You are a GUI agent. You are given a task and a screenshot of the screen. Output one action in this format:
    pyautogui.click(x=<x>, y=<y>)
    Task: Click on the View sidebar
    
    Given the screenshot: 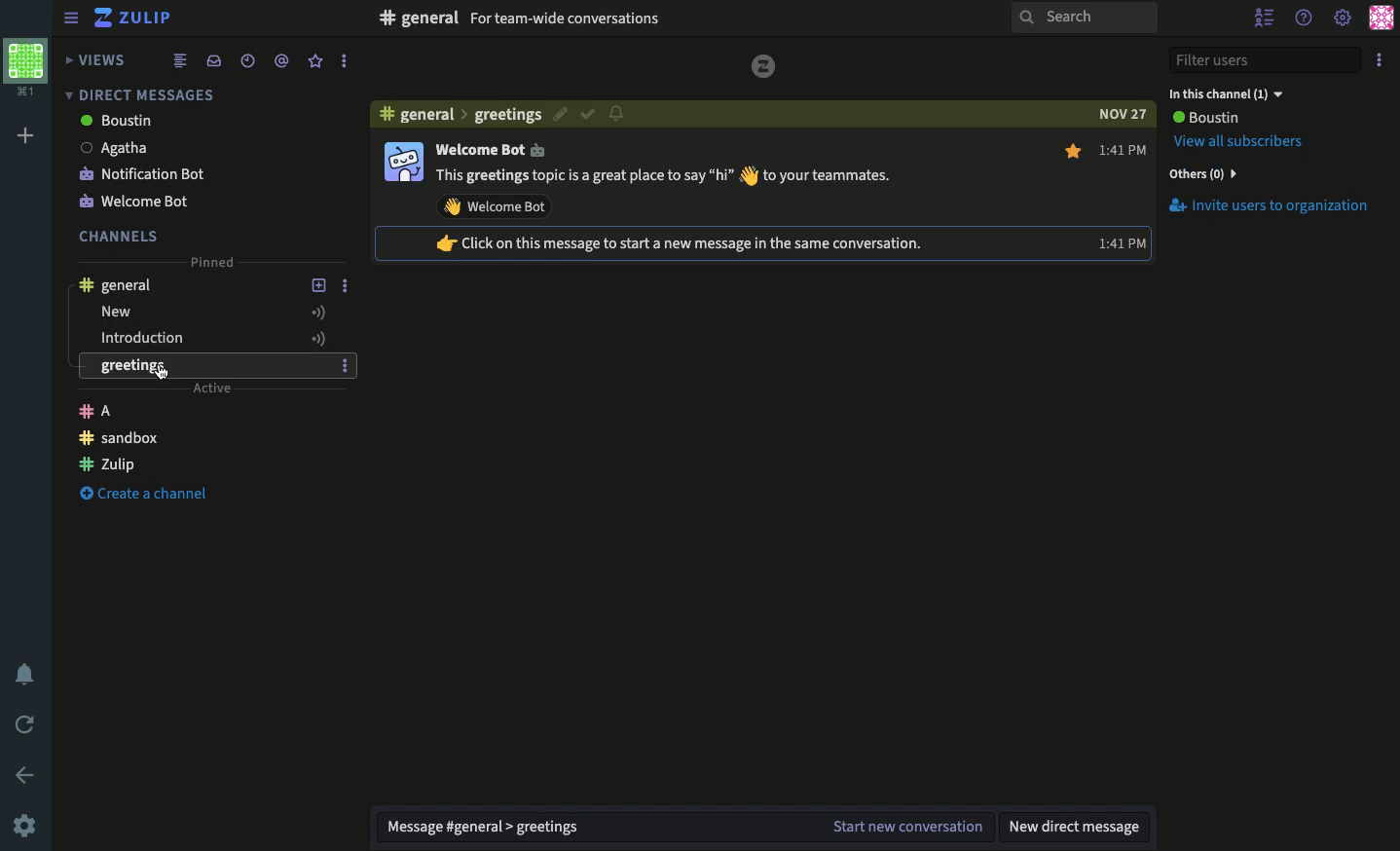 What is the action you would take?
    pyautogui.click(x=72, y=20)
    